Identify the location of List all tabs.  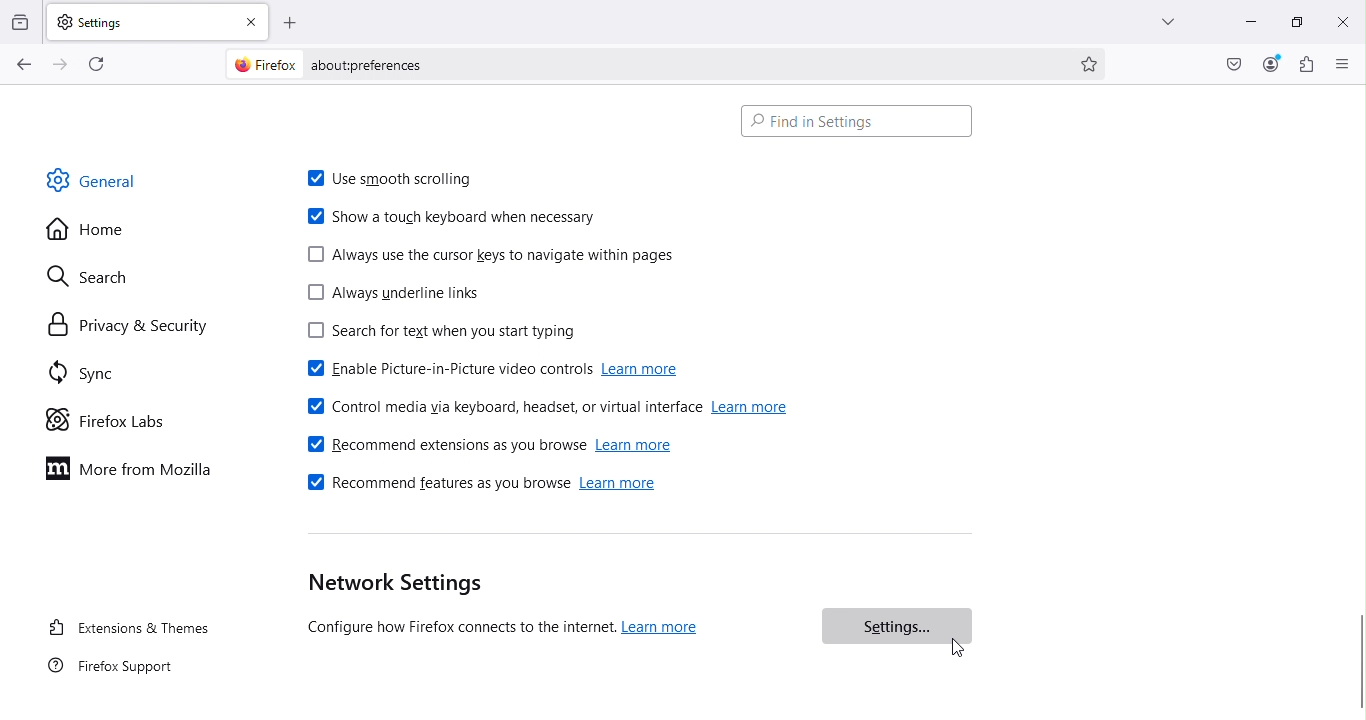
(1168, 24).